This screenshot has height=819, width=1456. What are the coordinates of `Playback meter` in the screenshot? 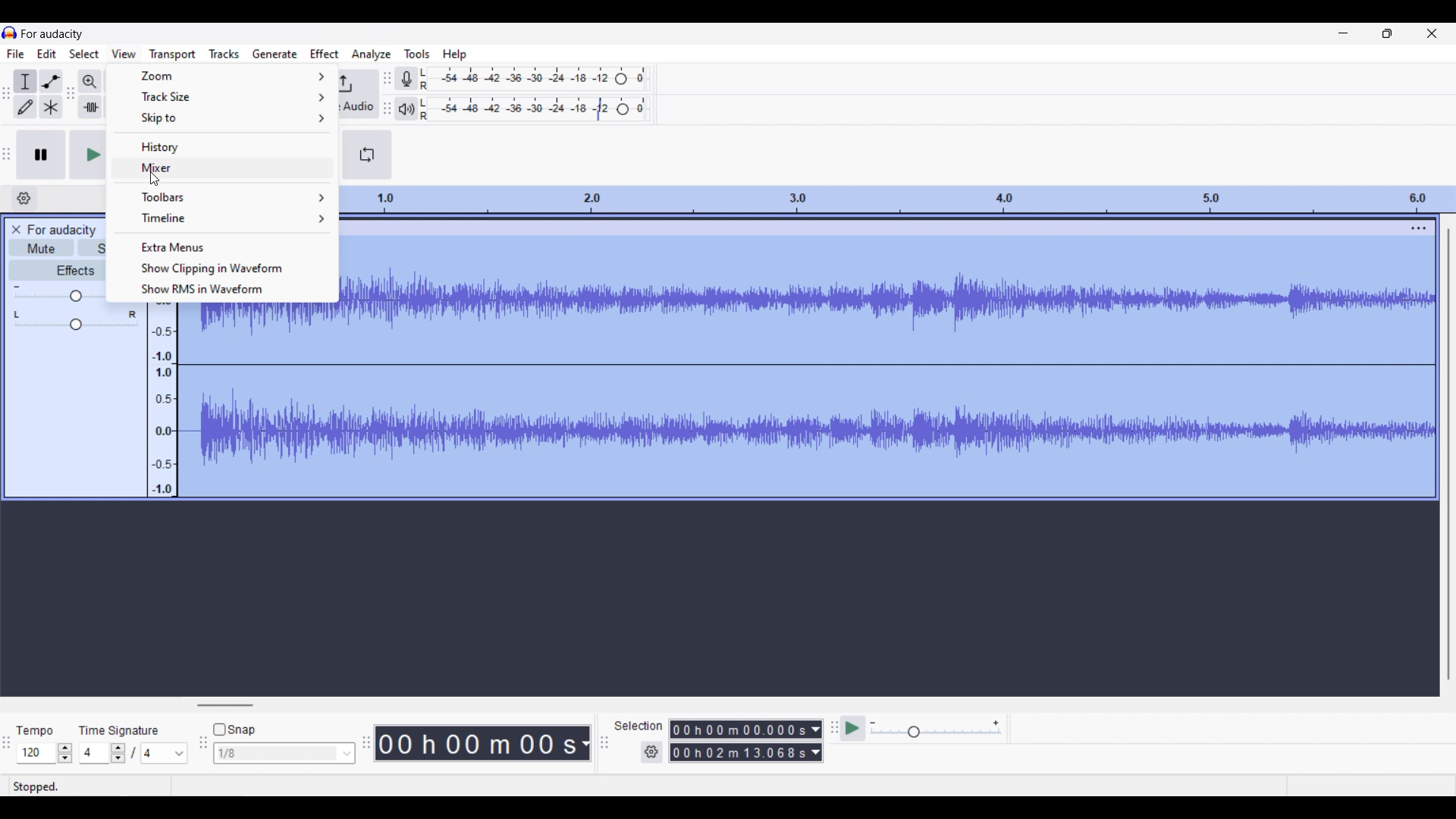 It's located at (405, 108).